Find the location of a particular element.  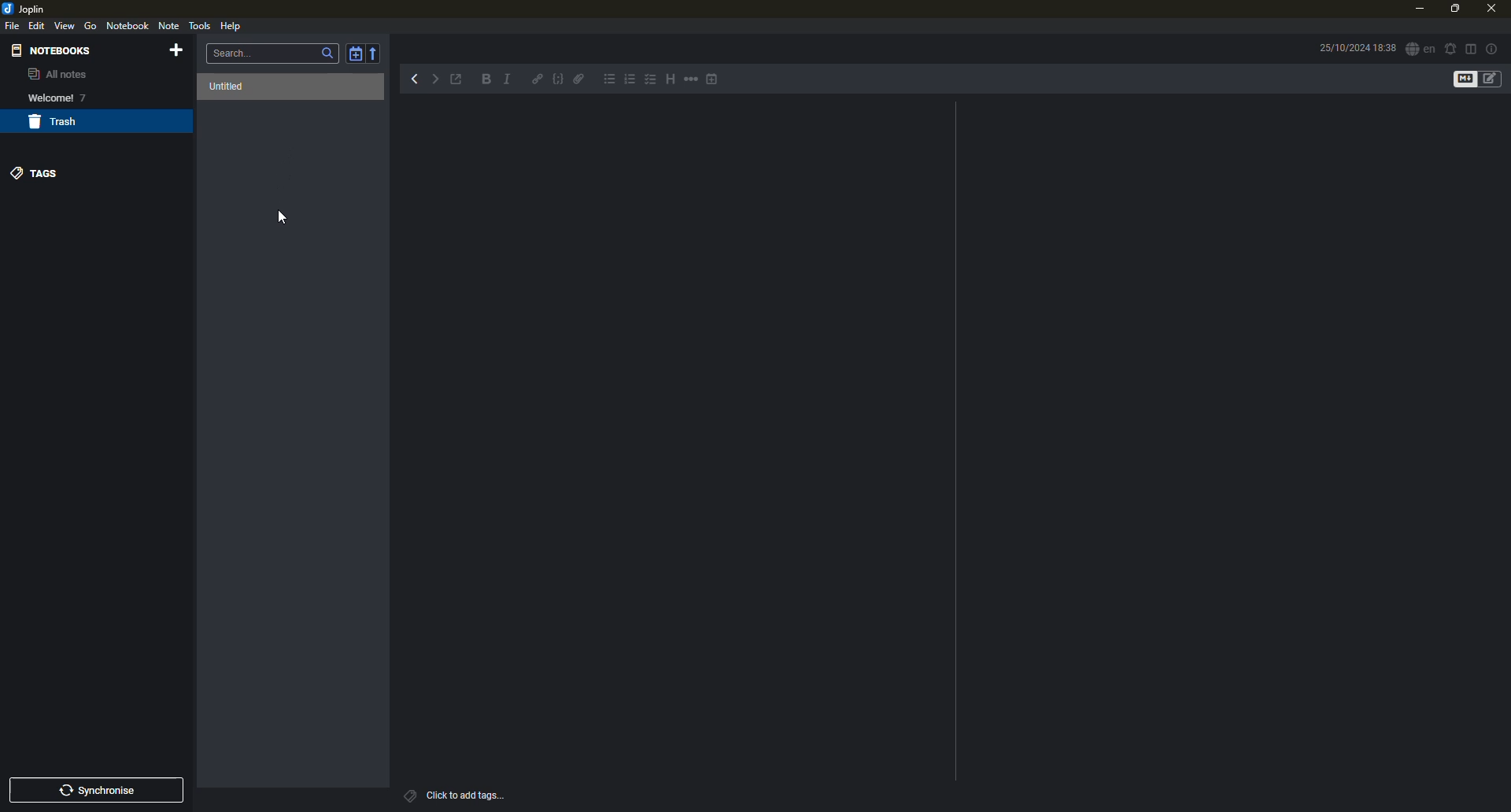

edit is located at coordinates (38, 25).